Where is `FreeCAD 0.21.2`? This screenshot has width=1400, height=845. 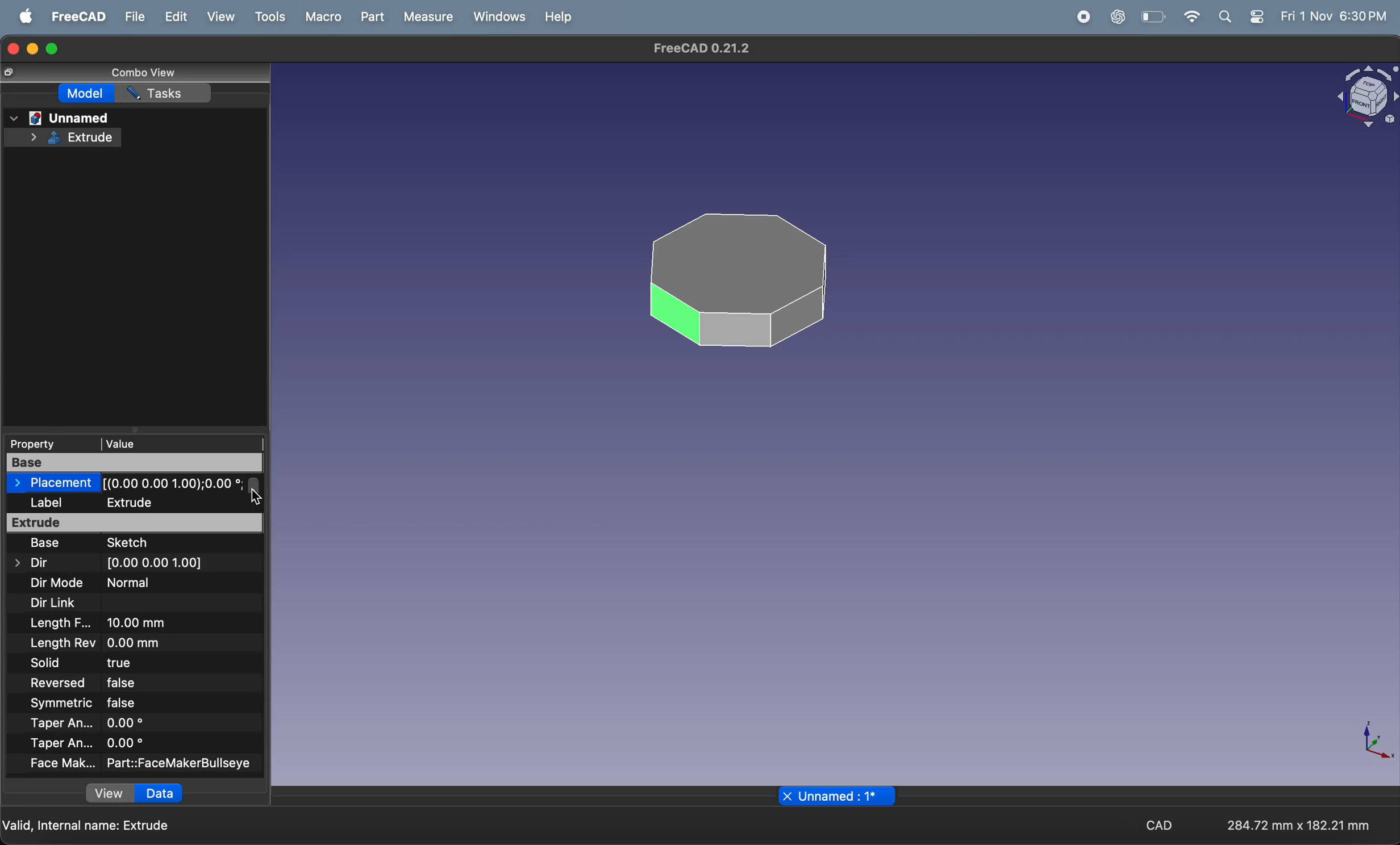 FreeCAD 0.21.2 is located at coordinates (701, 50).